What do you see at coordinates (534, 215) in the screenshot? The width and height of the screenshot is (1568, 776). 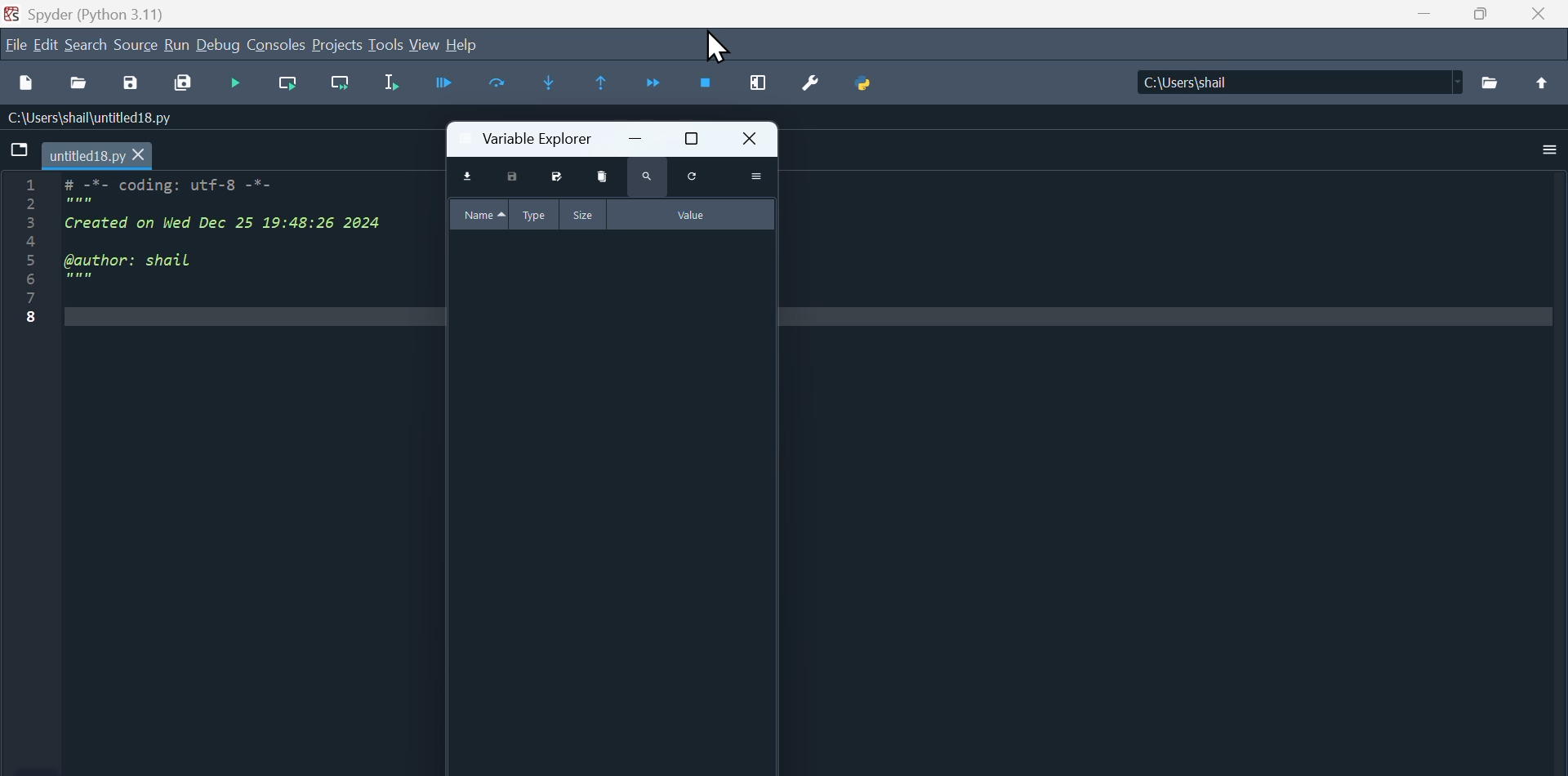 I see `type` at bounding box center [534, 215].